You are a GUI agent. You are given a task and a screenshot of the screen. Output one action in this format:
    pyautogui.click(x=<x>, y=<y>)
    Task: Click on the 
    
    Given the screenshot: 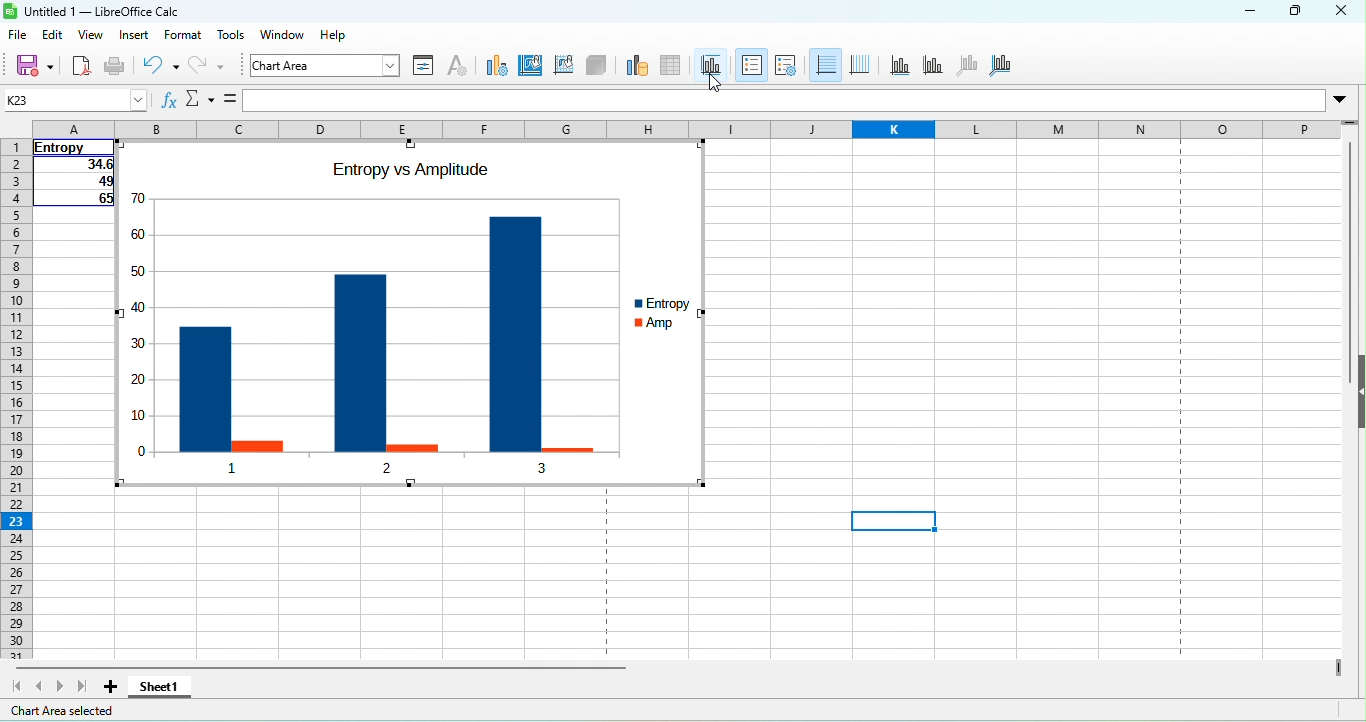 What is the action you would take?
    pyautogui.click(x=664, y=342)
    